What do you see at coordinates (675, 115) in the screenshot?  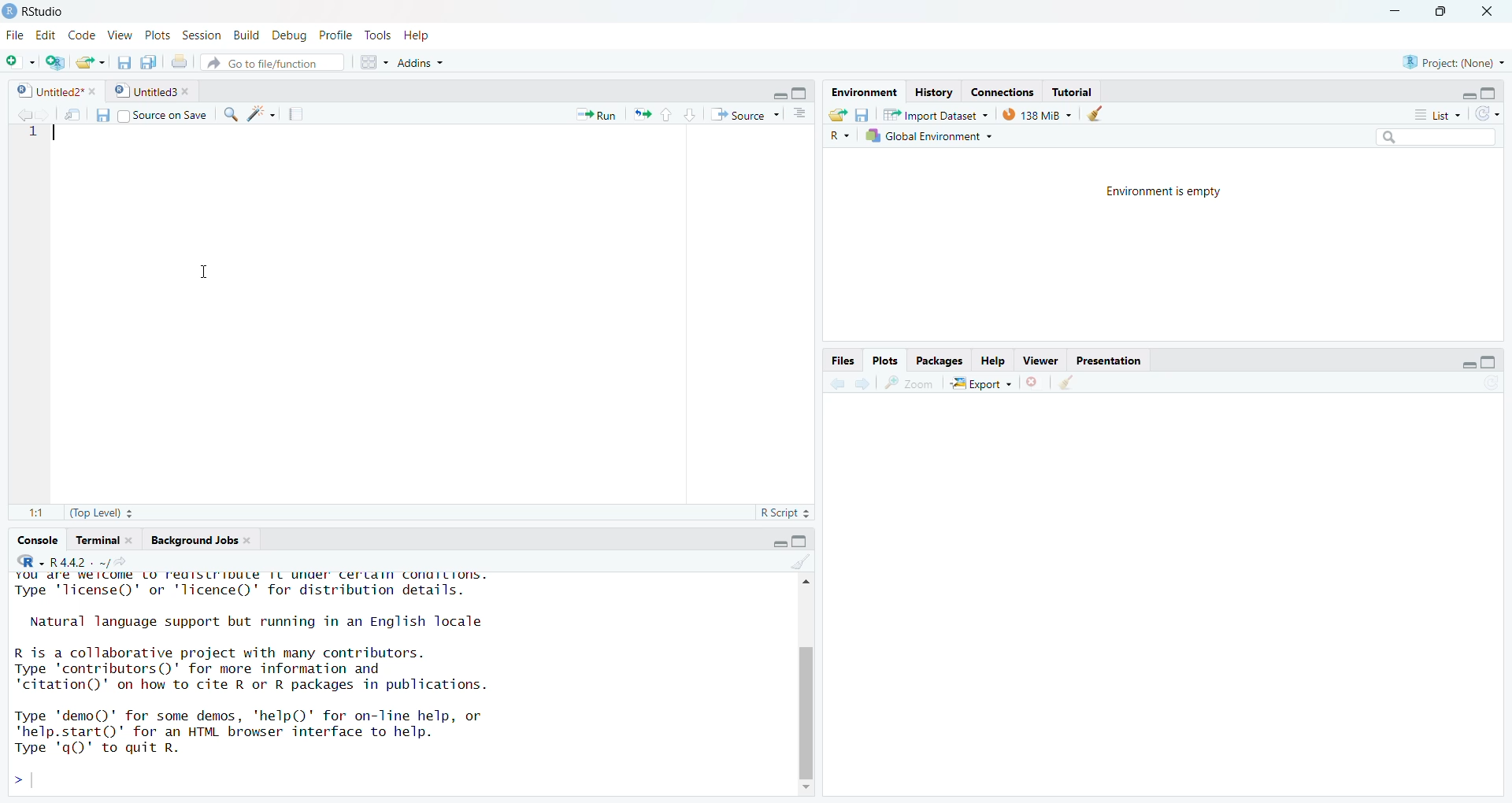 I see `up/down` at bounding box center [675, 115].